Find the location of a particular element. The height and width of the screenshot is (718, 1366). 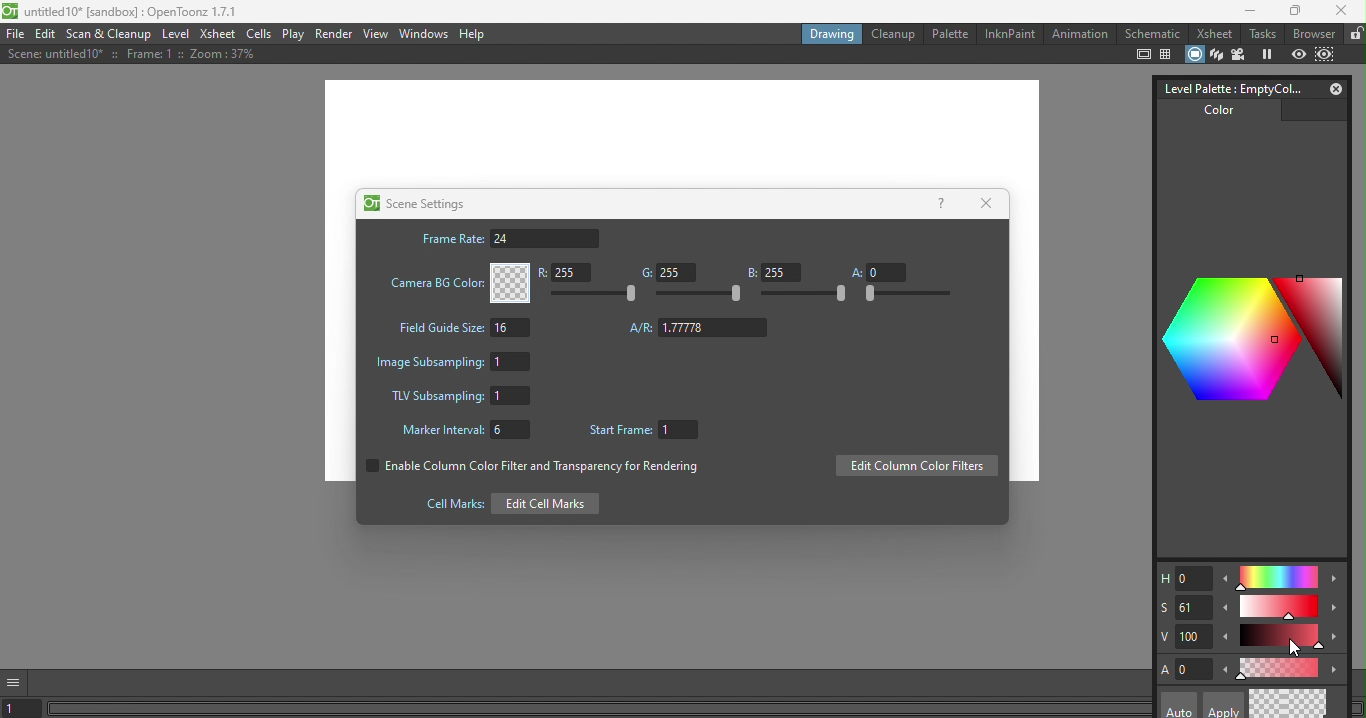

TLV Subsampling is located at coordinates (460, 397).